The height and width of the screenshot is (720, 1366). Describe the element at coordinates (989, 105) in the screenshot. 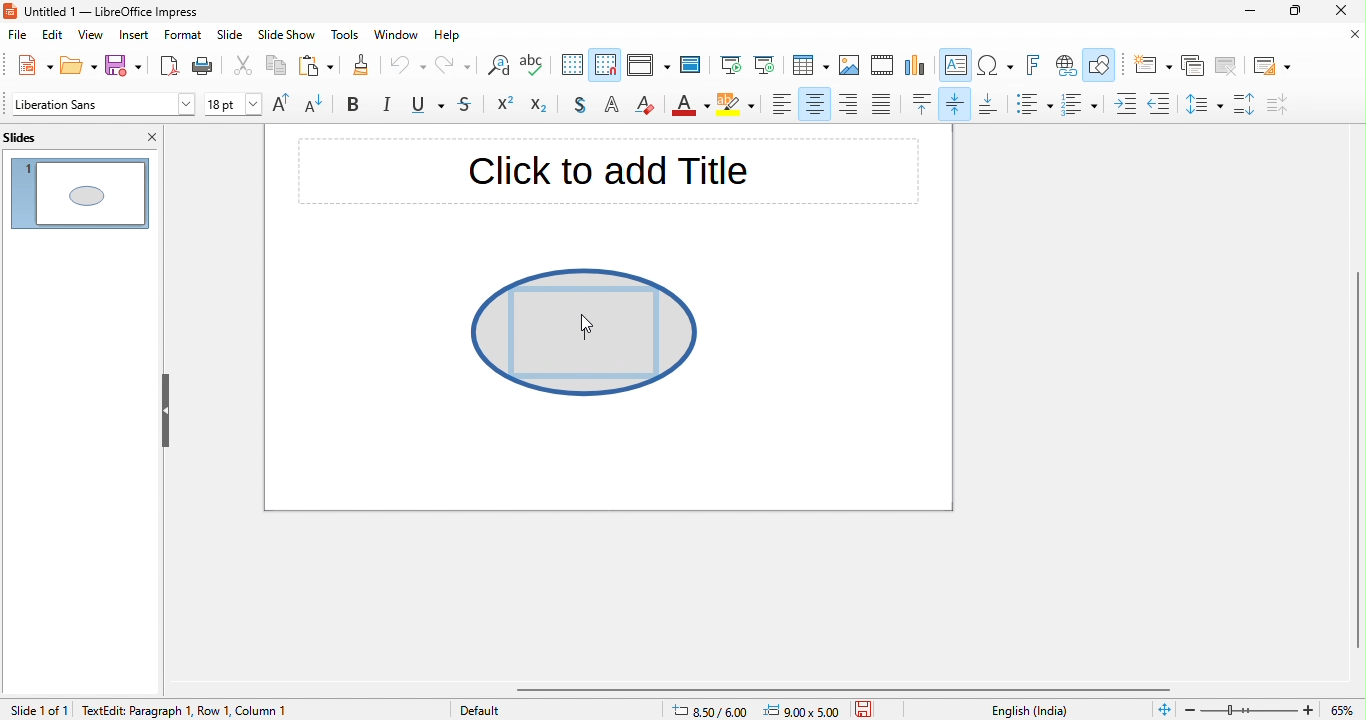

I see `align bottom` at that location.